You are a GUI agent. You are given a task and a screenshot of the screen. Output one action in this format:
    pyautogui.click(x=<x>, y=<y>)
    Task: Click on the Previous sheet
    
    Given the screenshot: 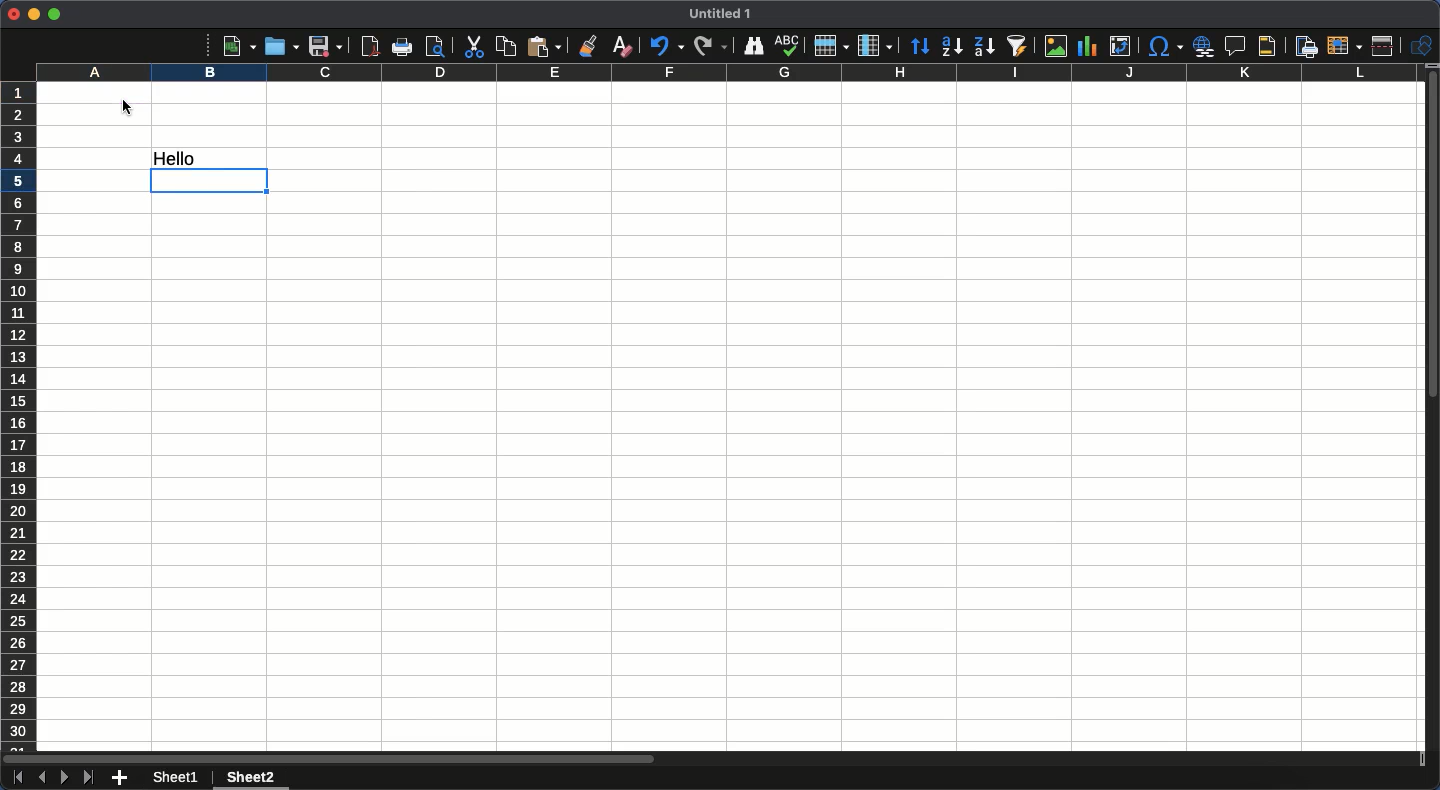 What is the action you would take?
    pyautogui.click(x=41, y=777)
    